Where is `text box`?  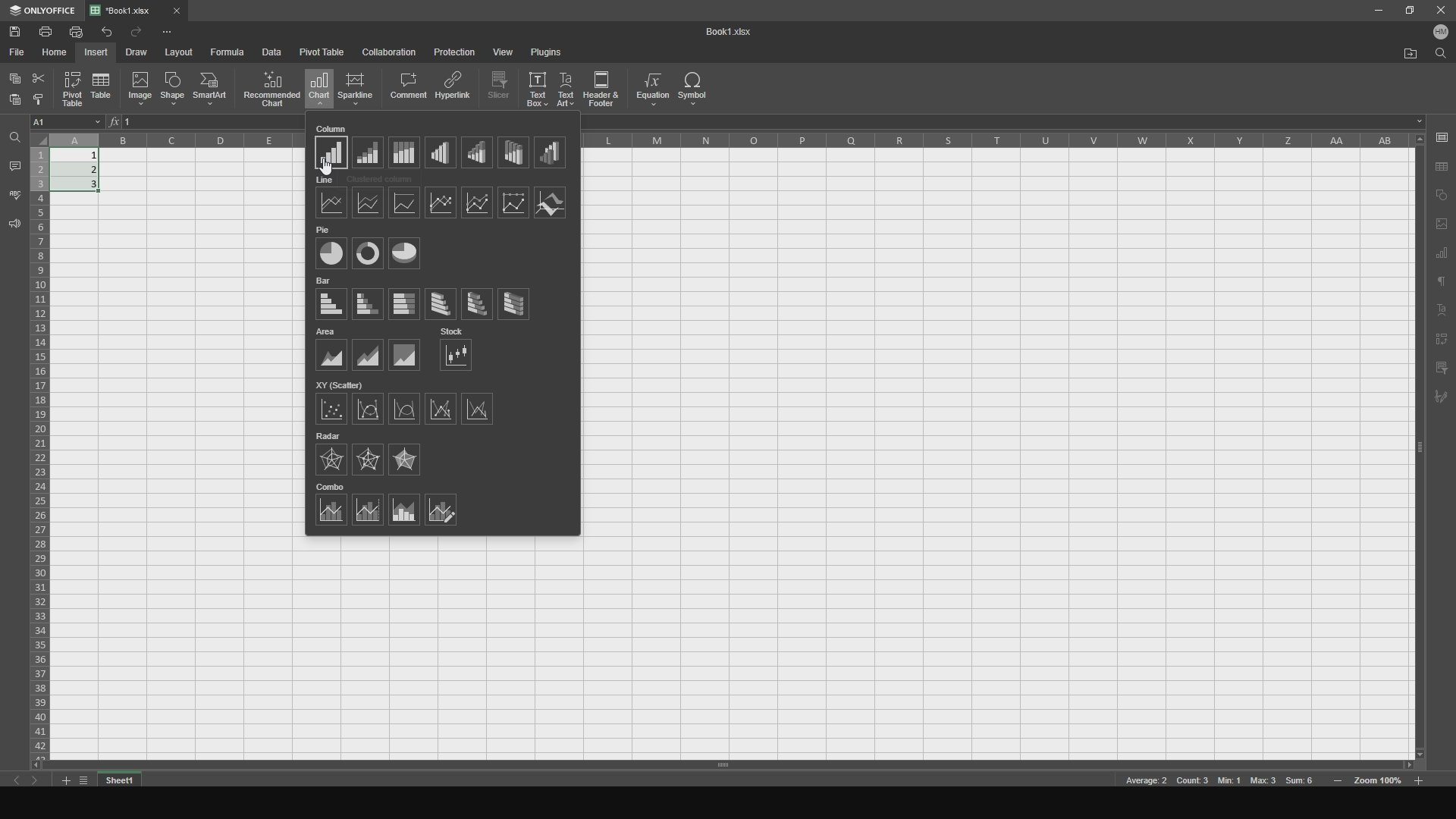
text box is located at coordinates (534, 86).